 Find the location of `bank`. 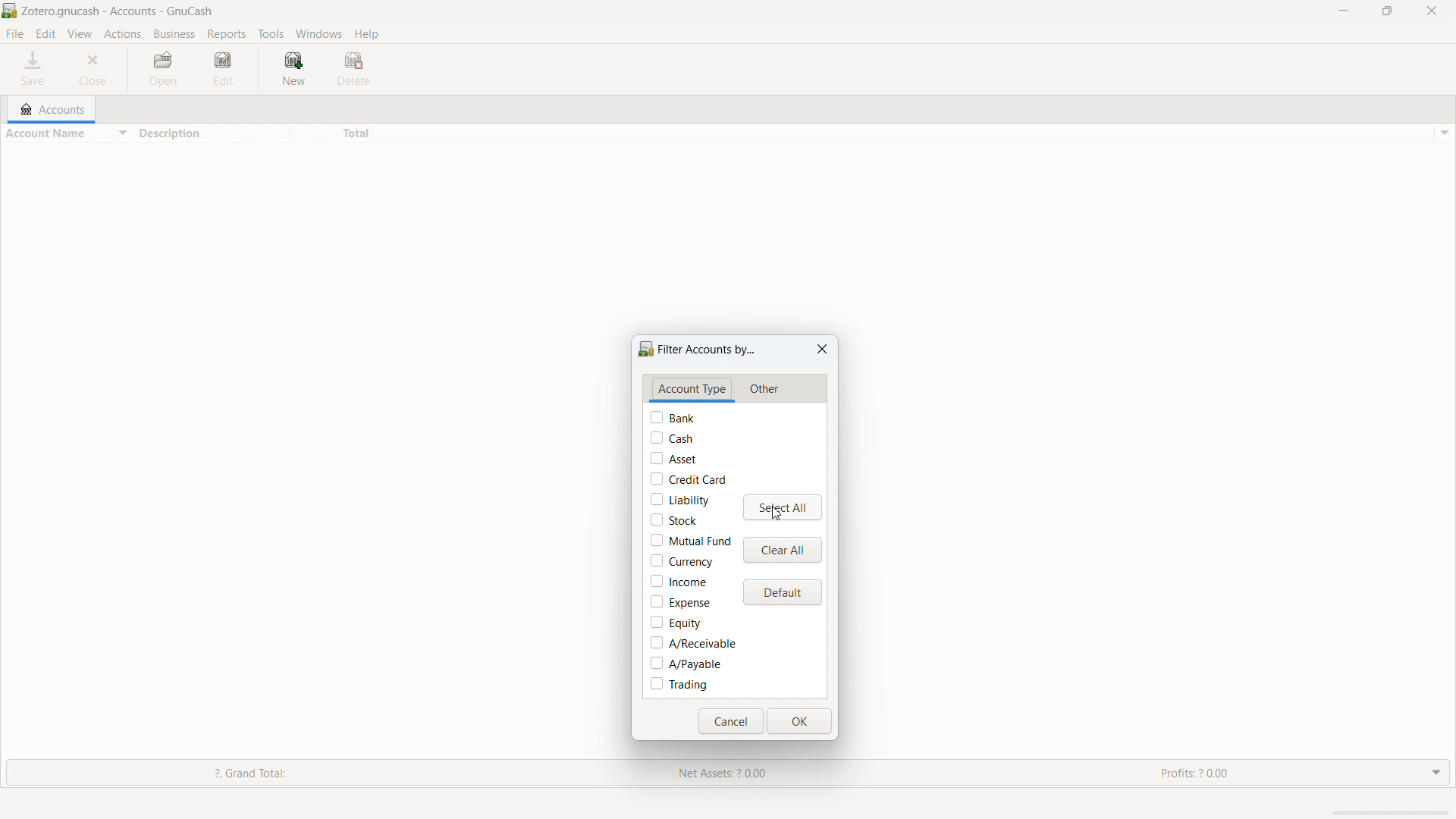

bank is located at coordinates (674, 417).